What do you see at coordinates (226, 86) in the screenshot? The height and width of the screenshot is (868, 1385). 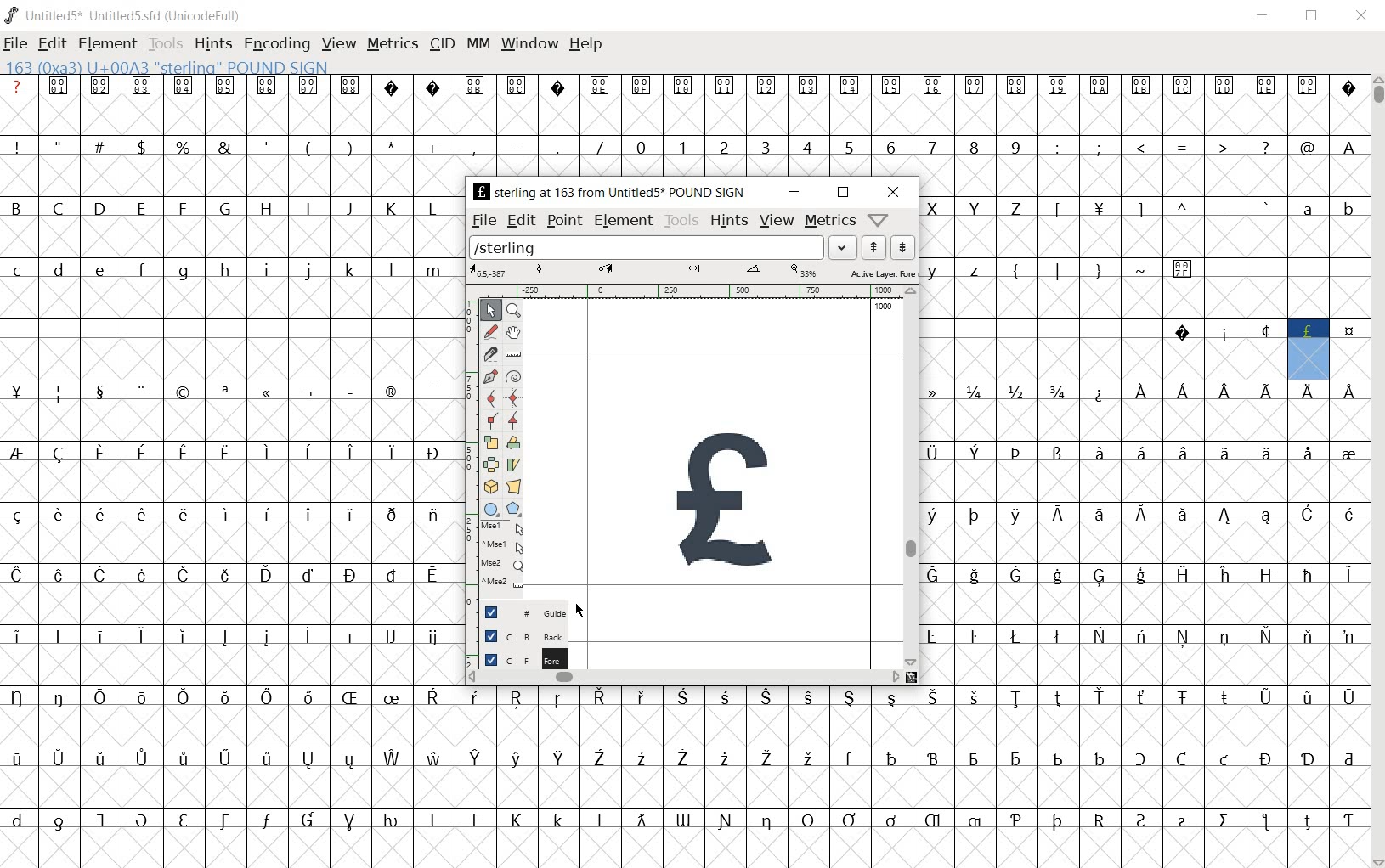 I see `Symbol` at bounding box center [226, 86].